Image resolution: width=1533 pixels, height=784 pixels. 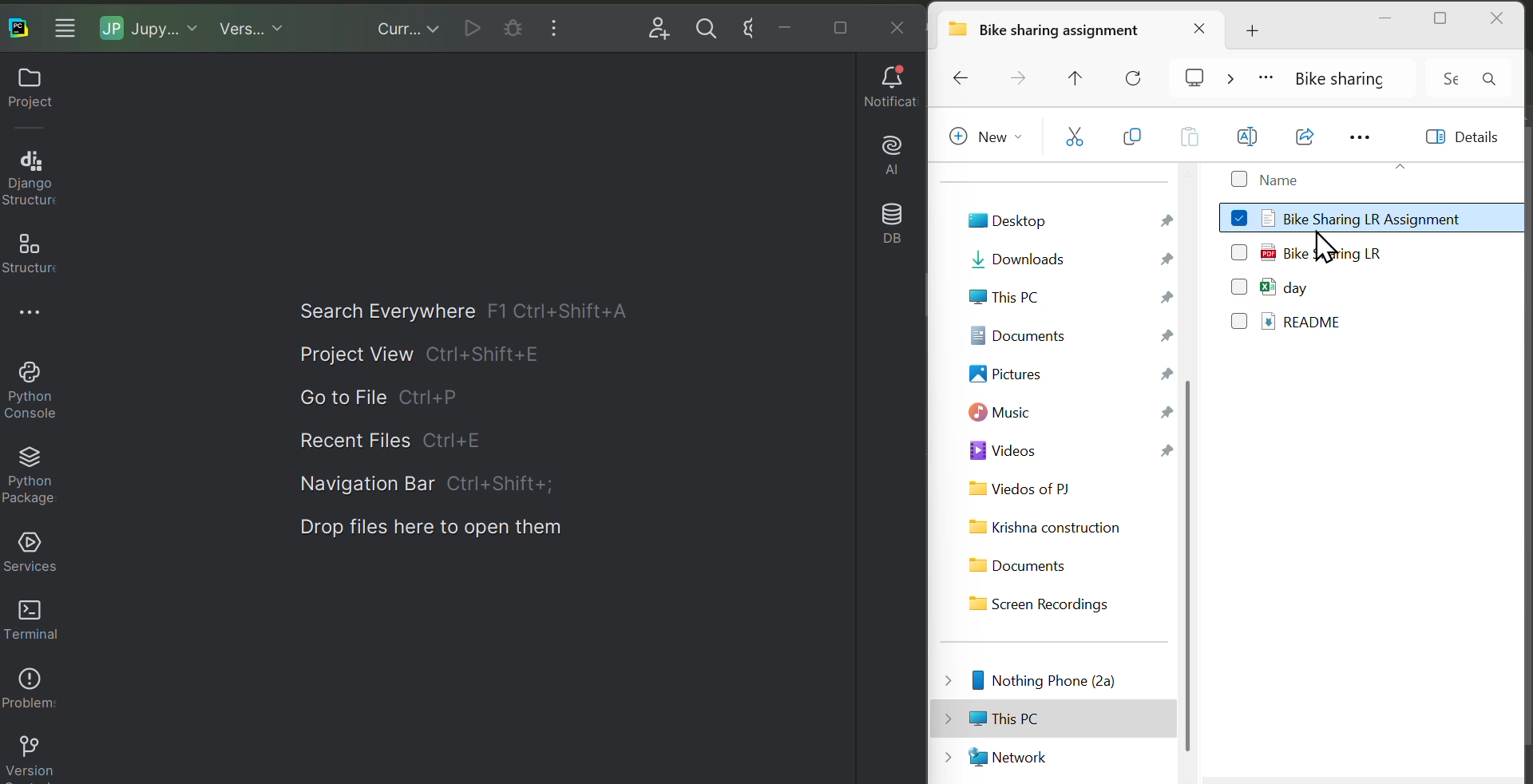 I want to click on Checkbox, so click(x=1239, y=325).